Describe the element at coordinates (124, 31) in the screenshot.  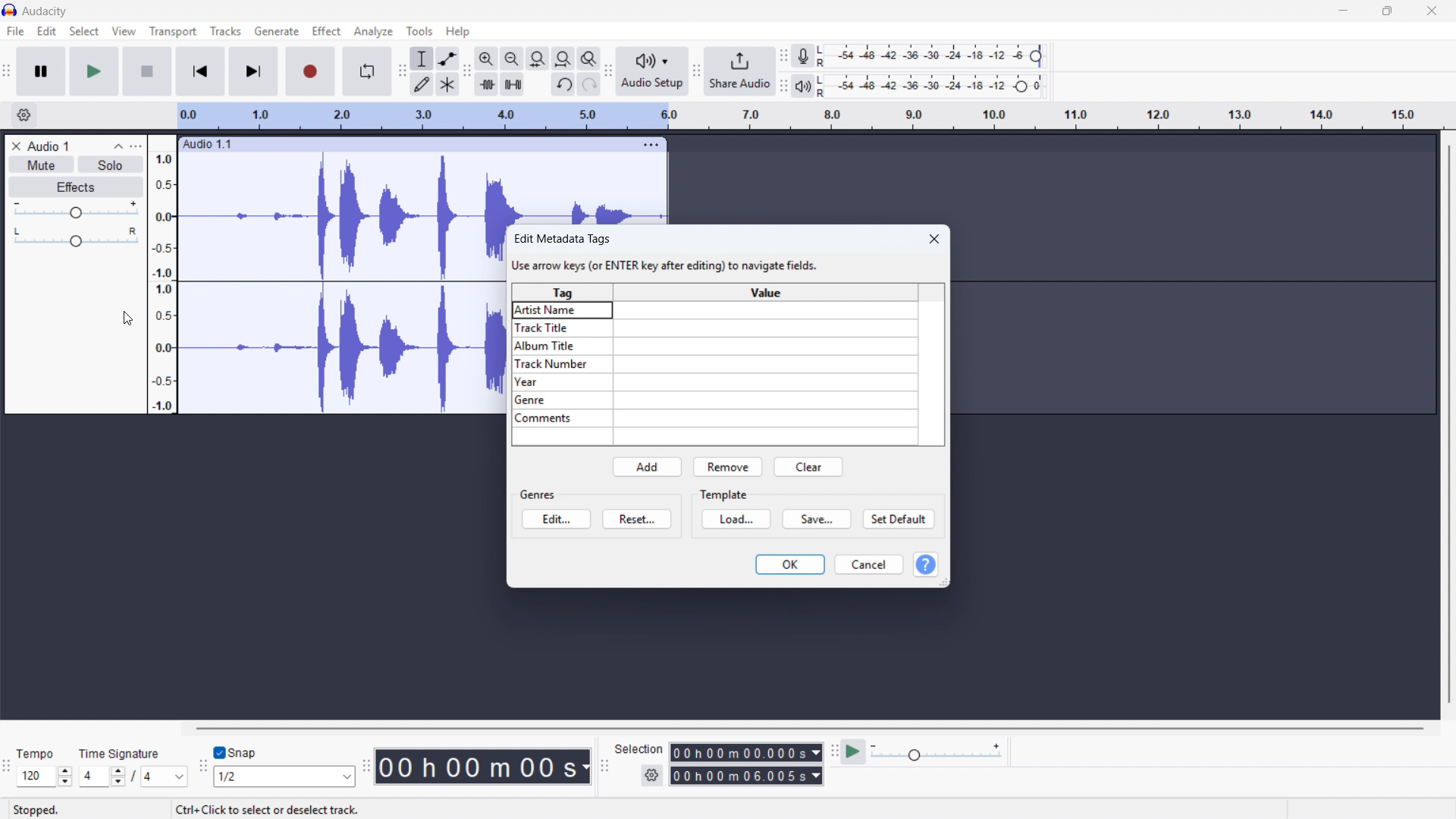
I see `view` at that location.